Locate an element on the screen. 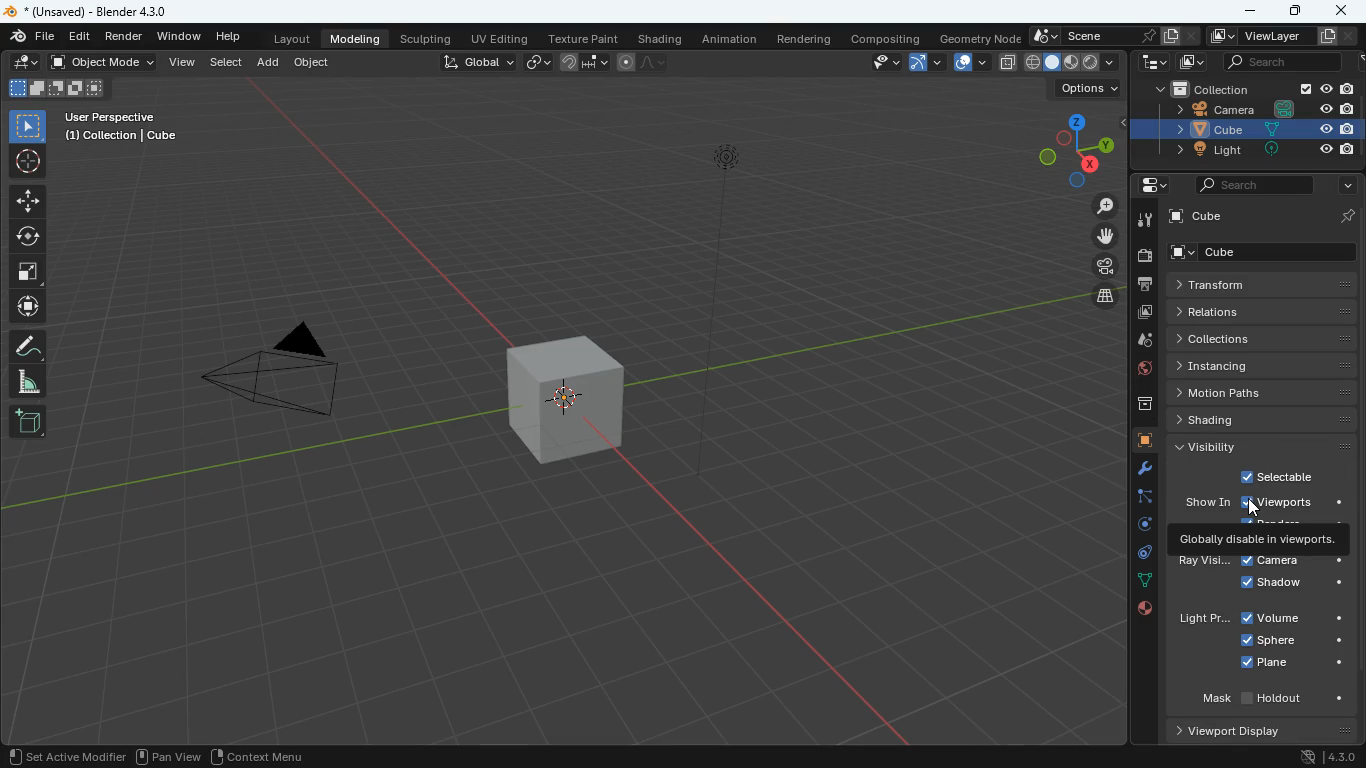 This screenshot has width=1366, height=768. viewports is located at coordinates (1281, 504).